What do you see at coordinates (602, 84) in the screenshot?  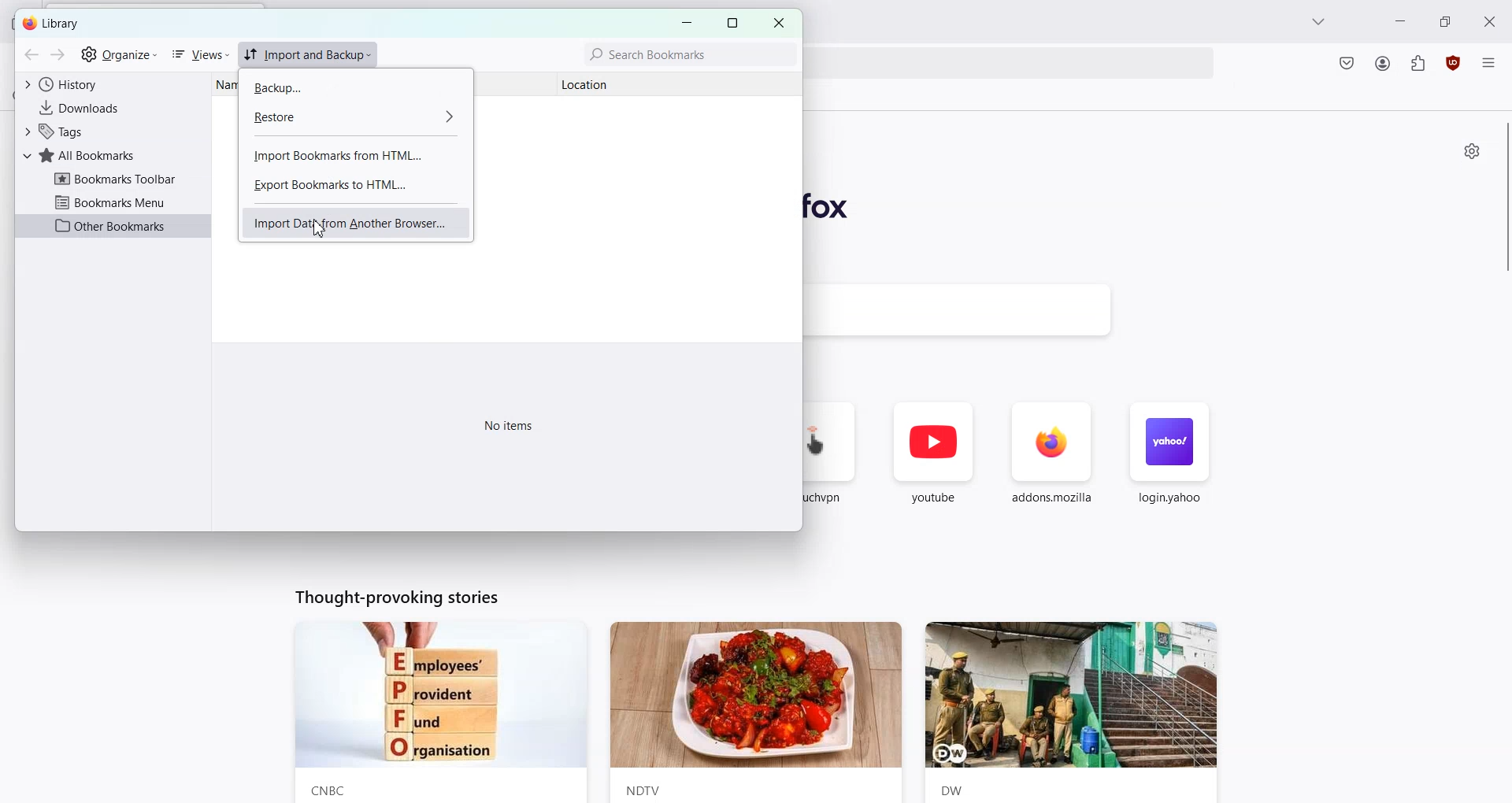 I see `Location` at bounding box center [602, 84].